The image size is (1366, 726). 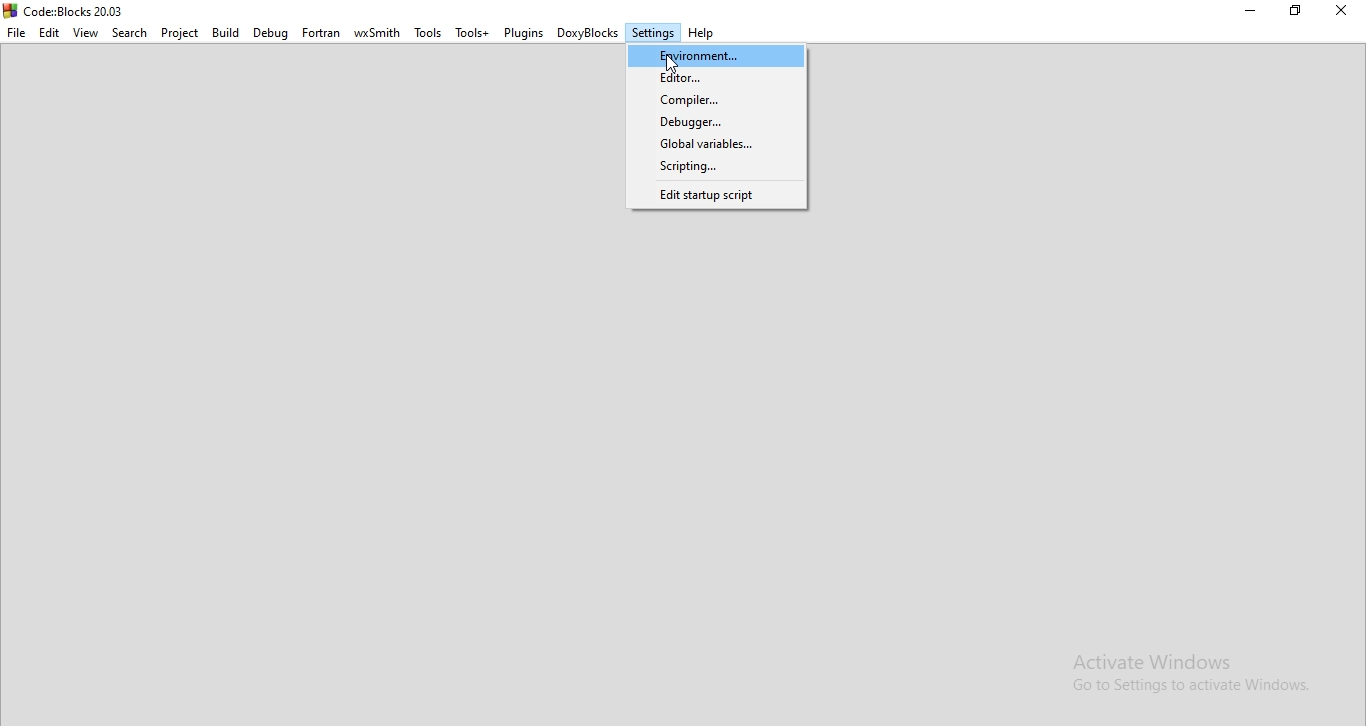 I want to click on Edit, so click(x=52, y=35).